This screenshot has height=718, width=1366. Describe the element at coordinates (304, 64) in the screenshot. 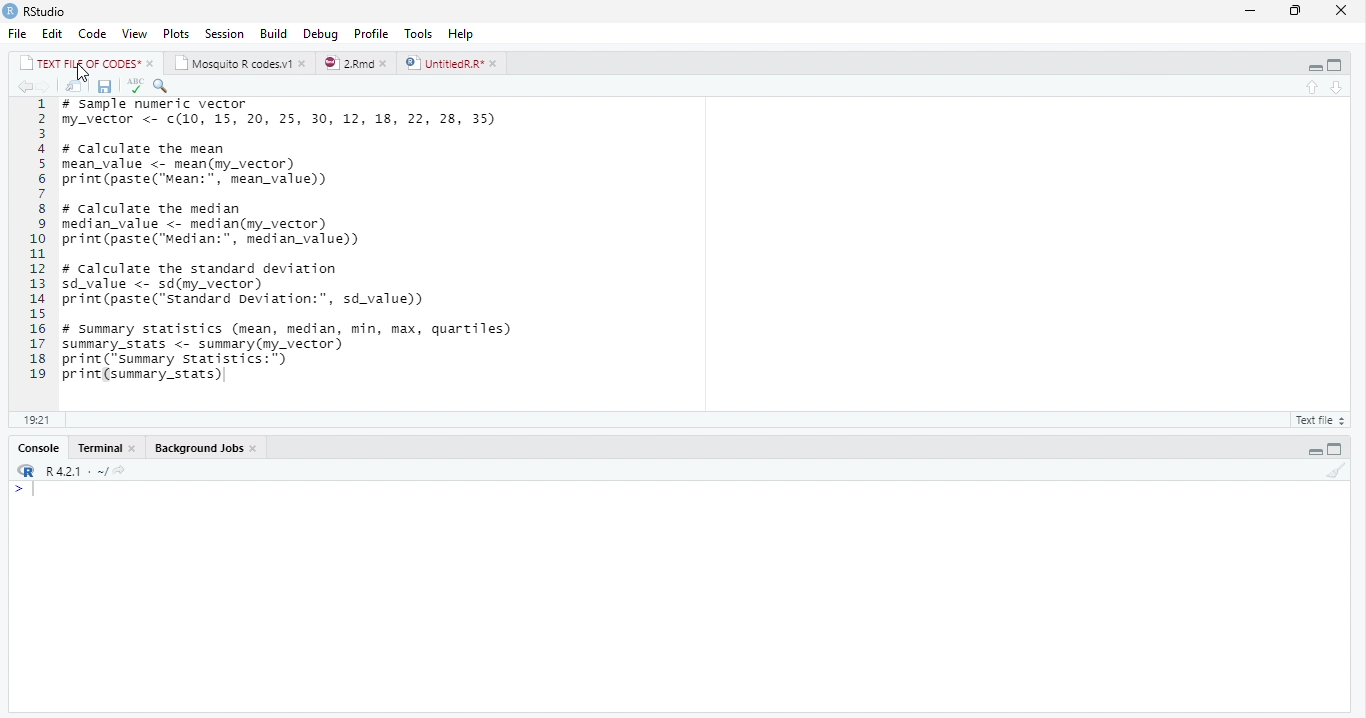

I see `close` at that location.